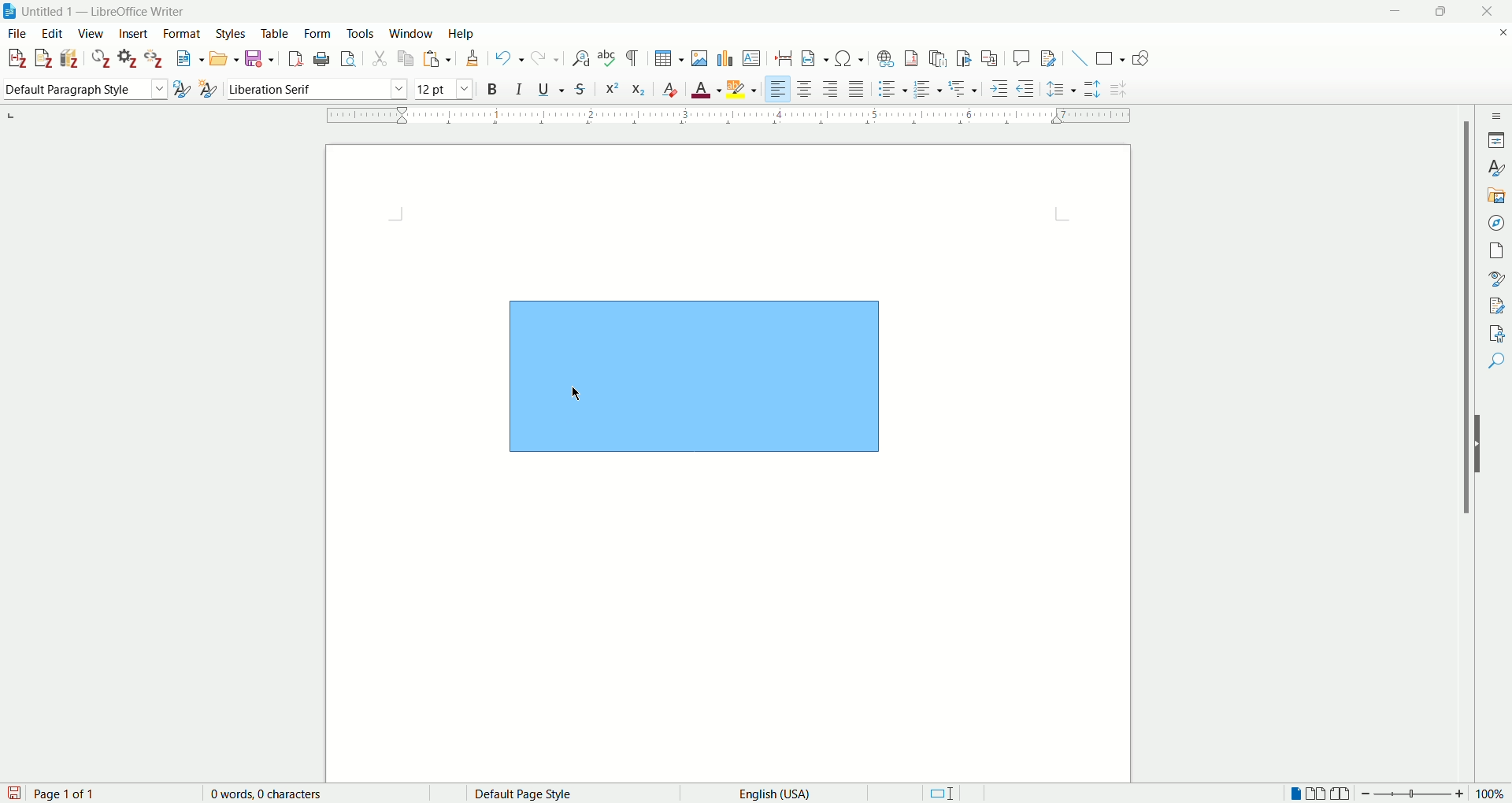 The height and width of the screenshot is (803, 1512). I want to click on close document, so click(1495, 31).